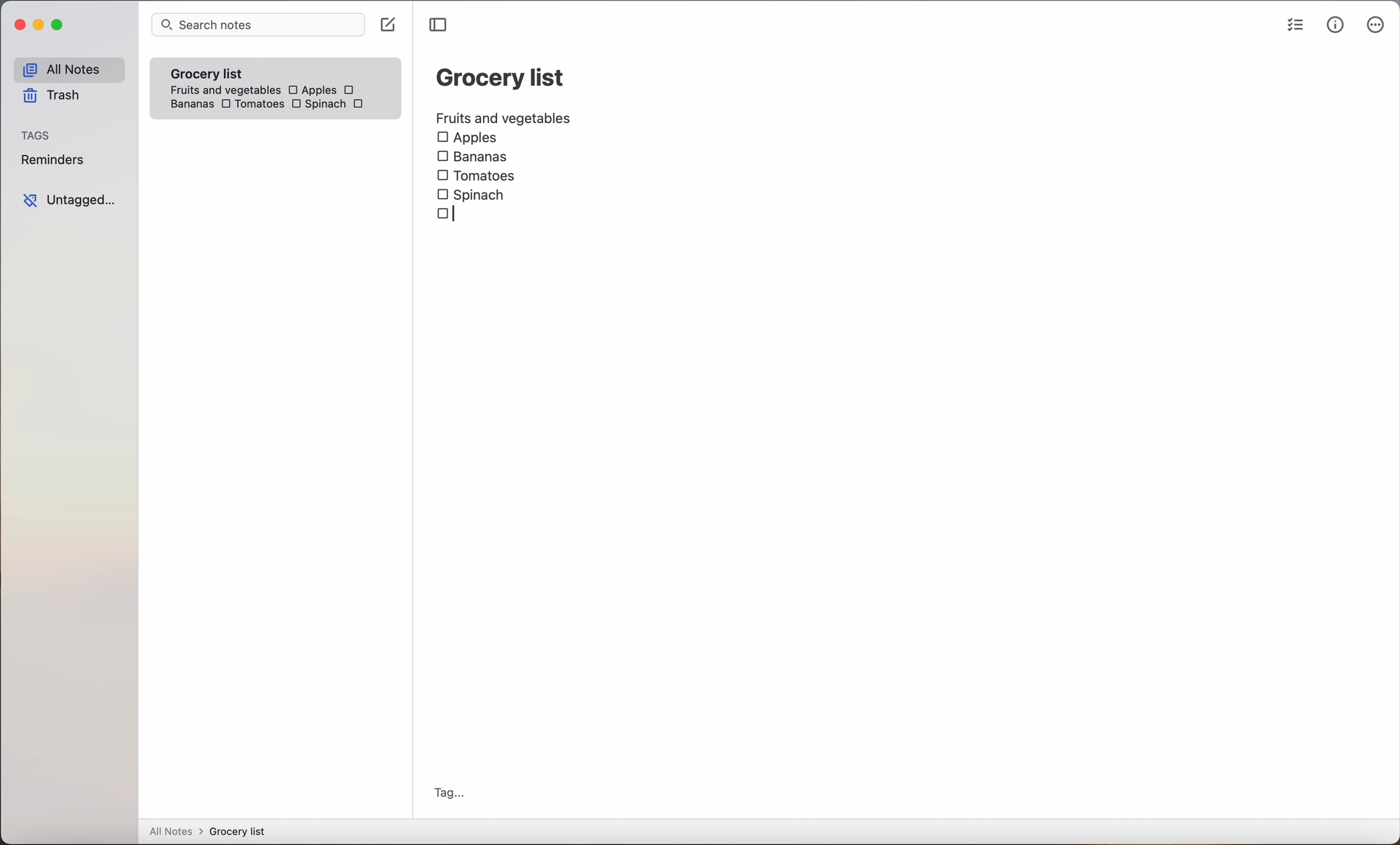  I want to click on trash, so click(50, 98).